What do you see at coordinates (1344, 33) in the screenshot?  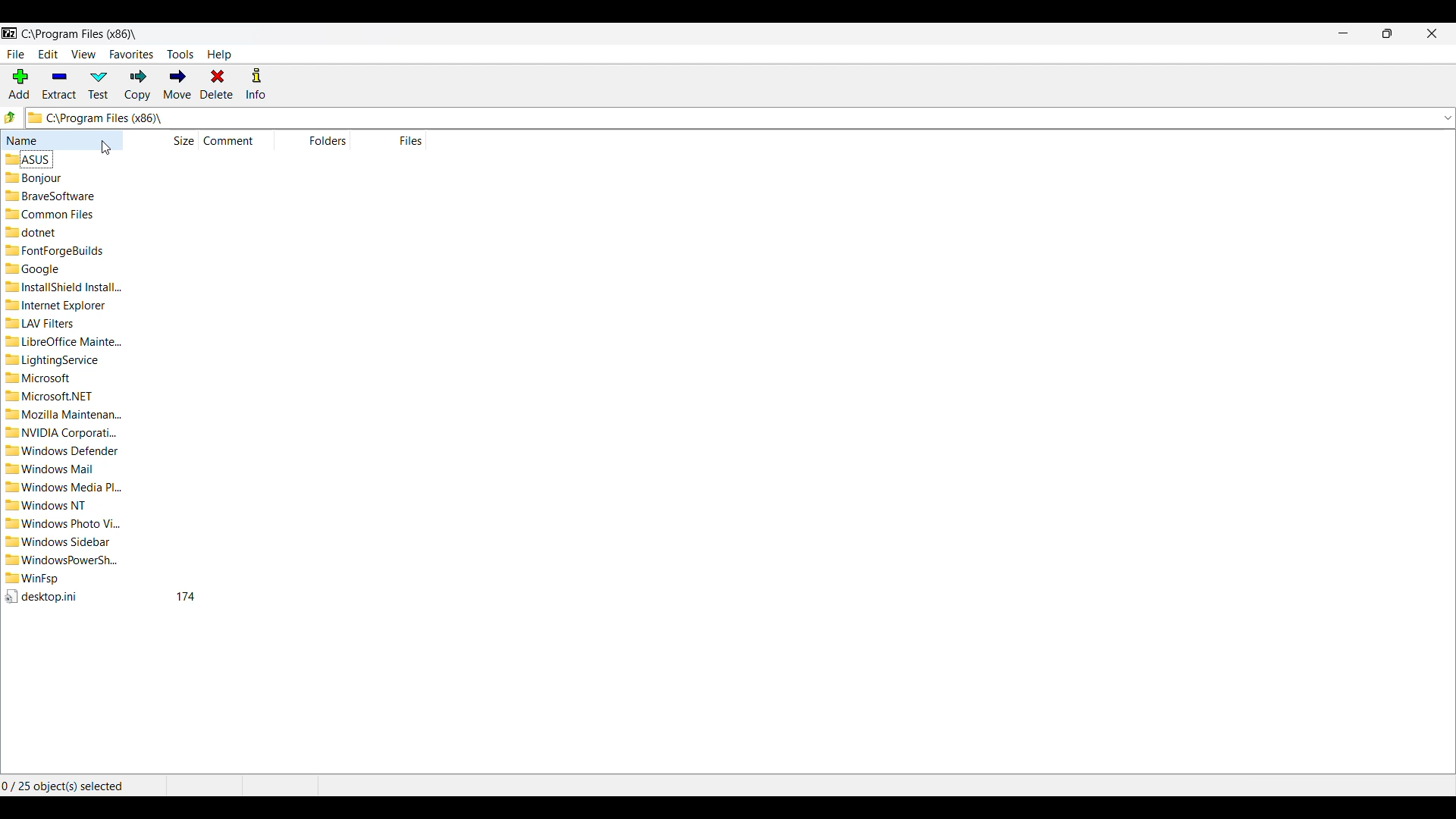 I see `Minimize` at bounding box center [1344, 33].